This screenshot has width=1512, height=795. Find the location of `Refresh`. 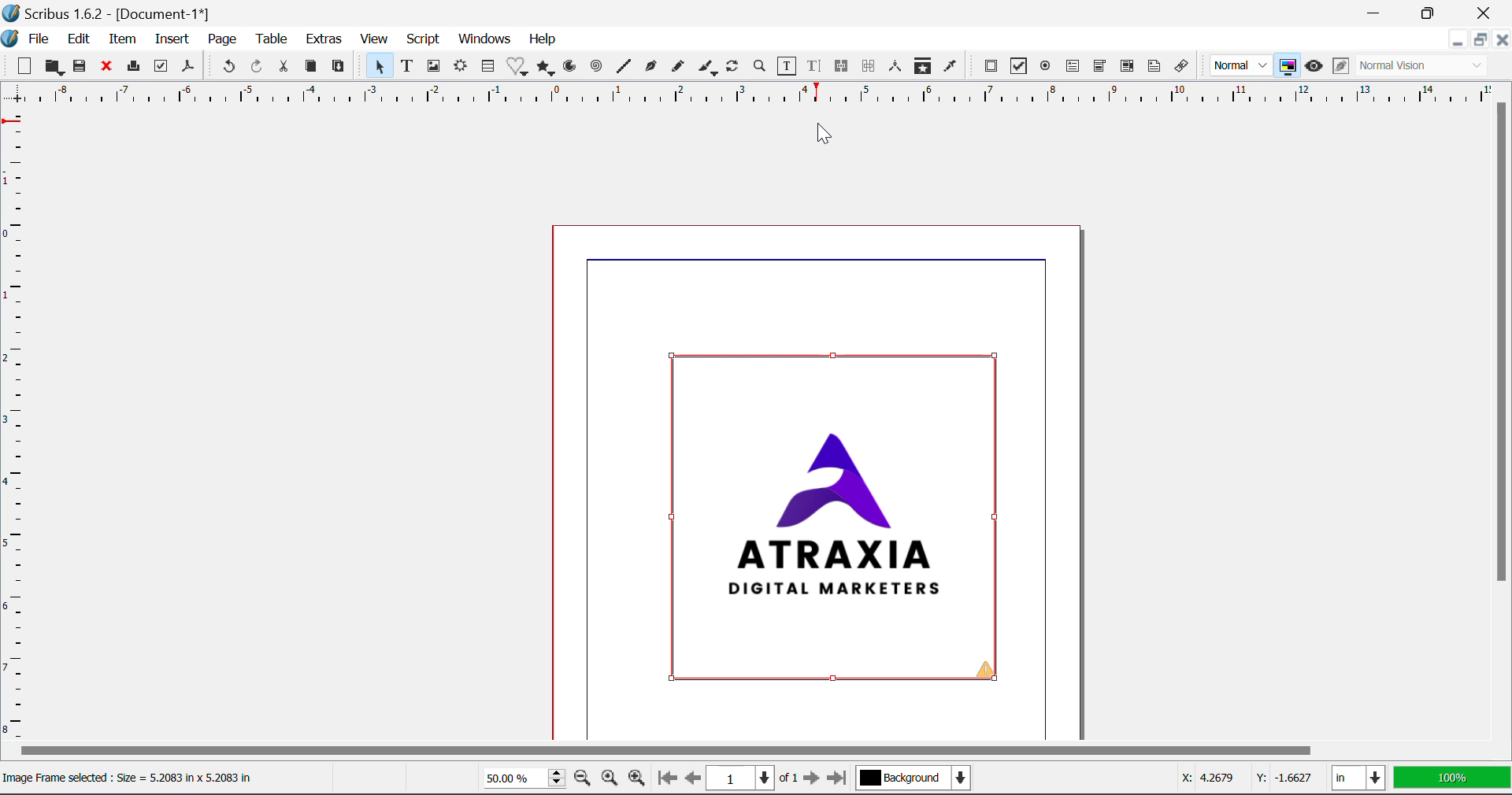

Refresh is located at coordinates (736, 68).